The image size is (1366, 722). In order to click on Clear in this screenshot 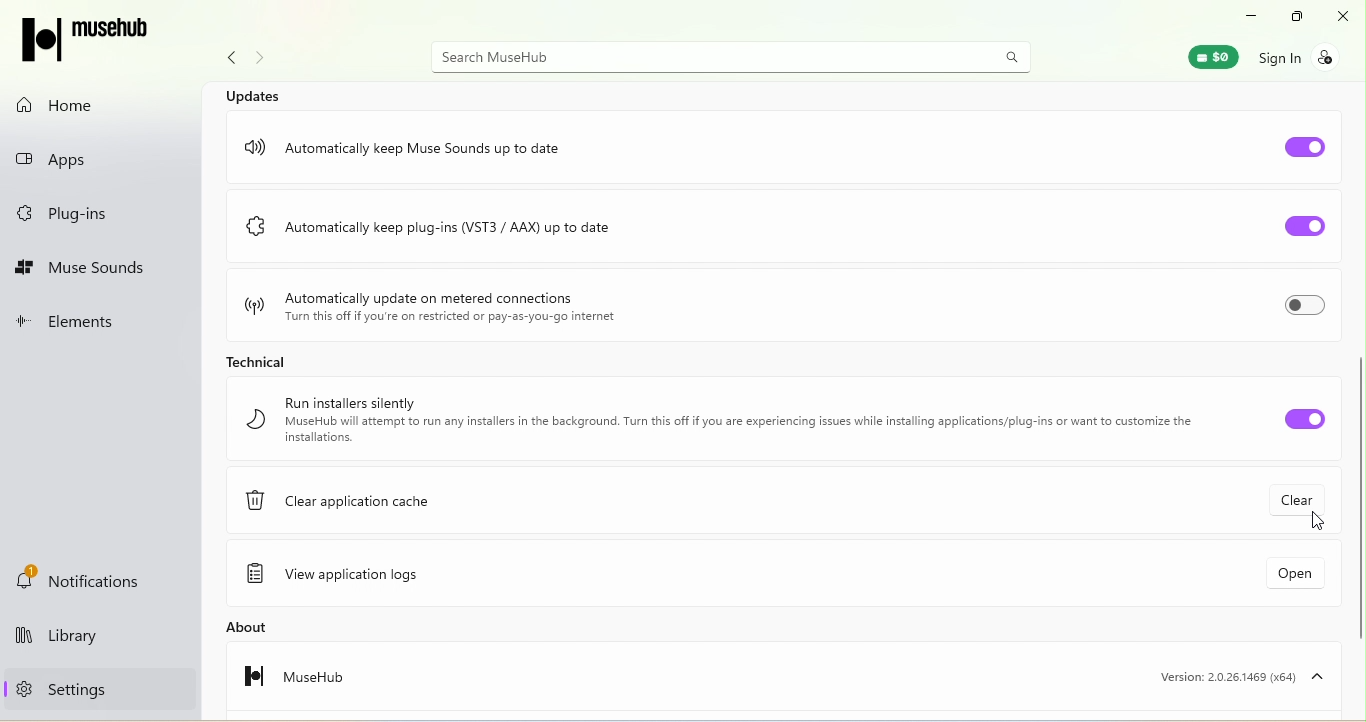, I will do `click(1303, 497)`.